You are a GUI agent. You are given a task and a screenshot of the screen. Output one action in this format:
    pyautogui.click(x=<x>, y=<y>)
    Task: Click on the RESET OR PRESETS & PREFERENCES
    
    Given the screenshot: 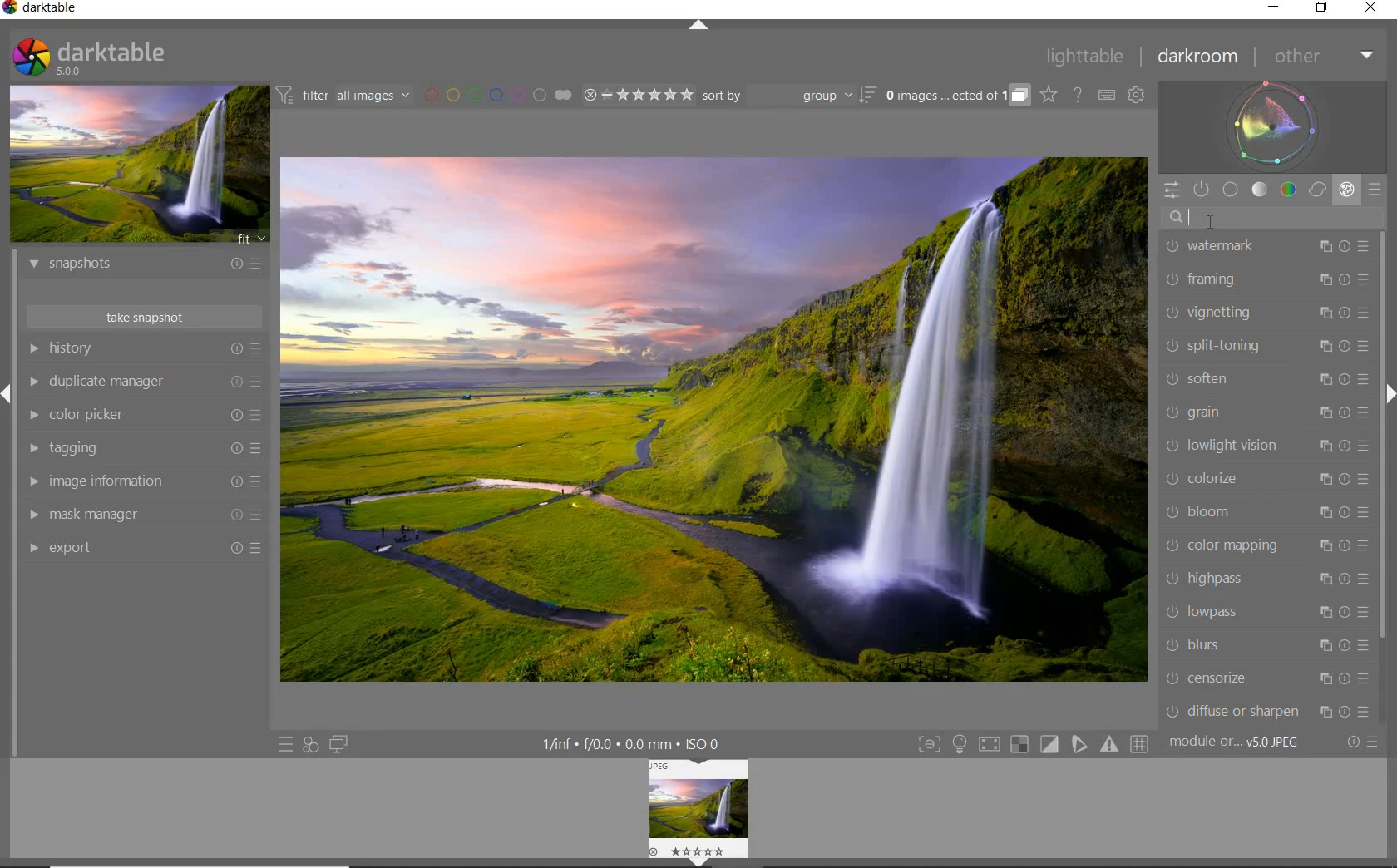 What is the action you would take?
    pyautogui.click(x=1362, y=743)
    